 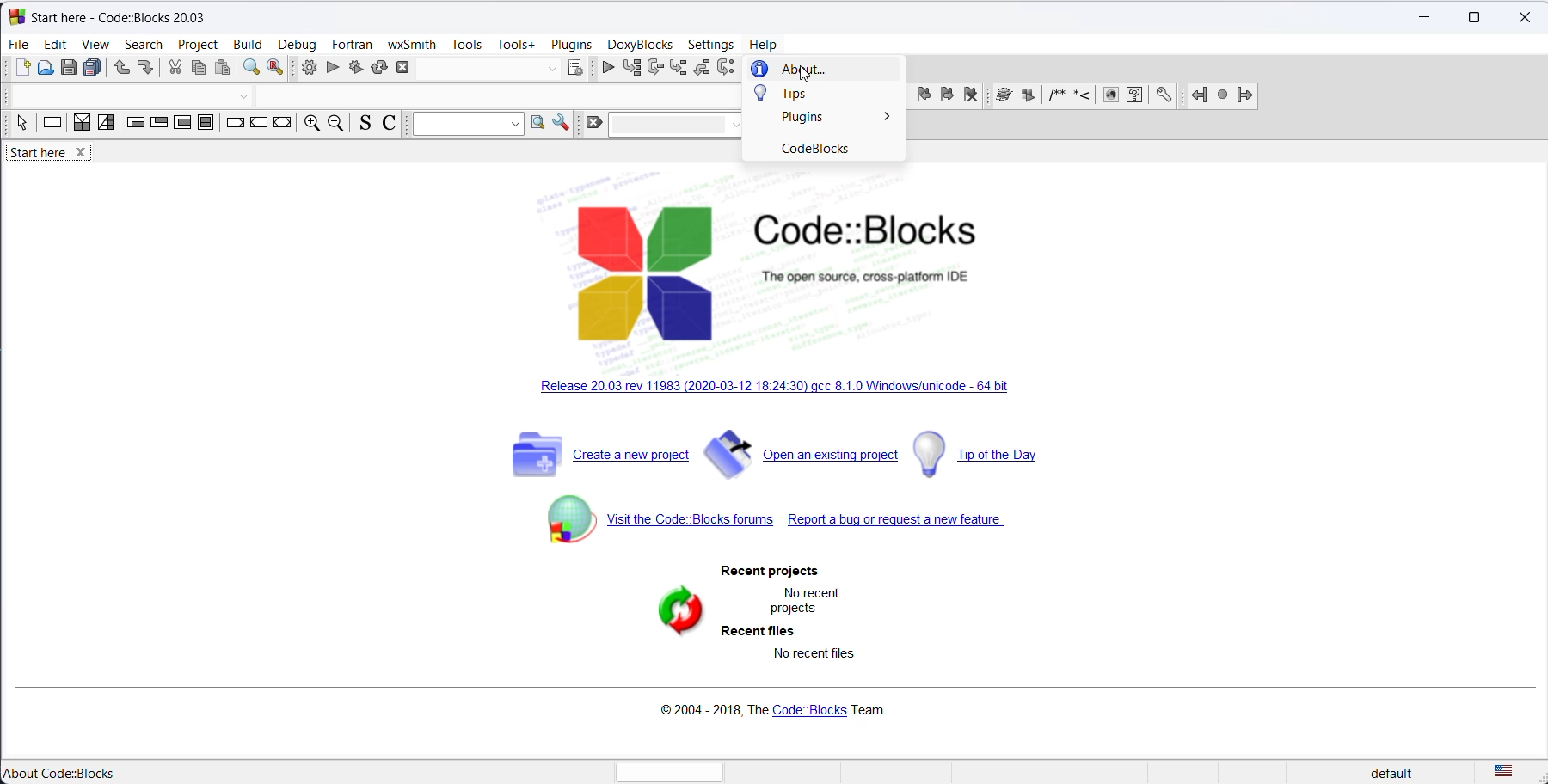 I want to click on HTML help, so click(x=1137, y=97).